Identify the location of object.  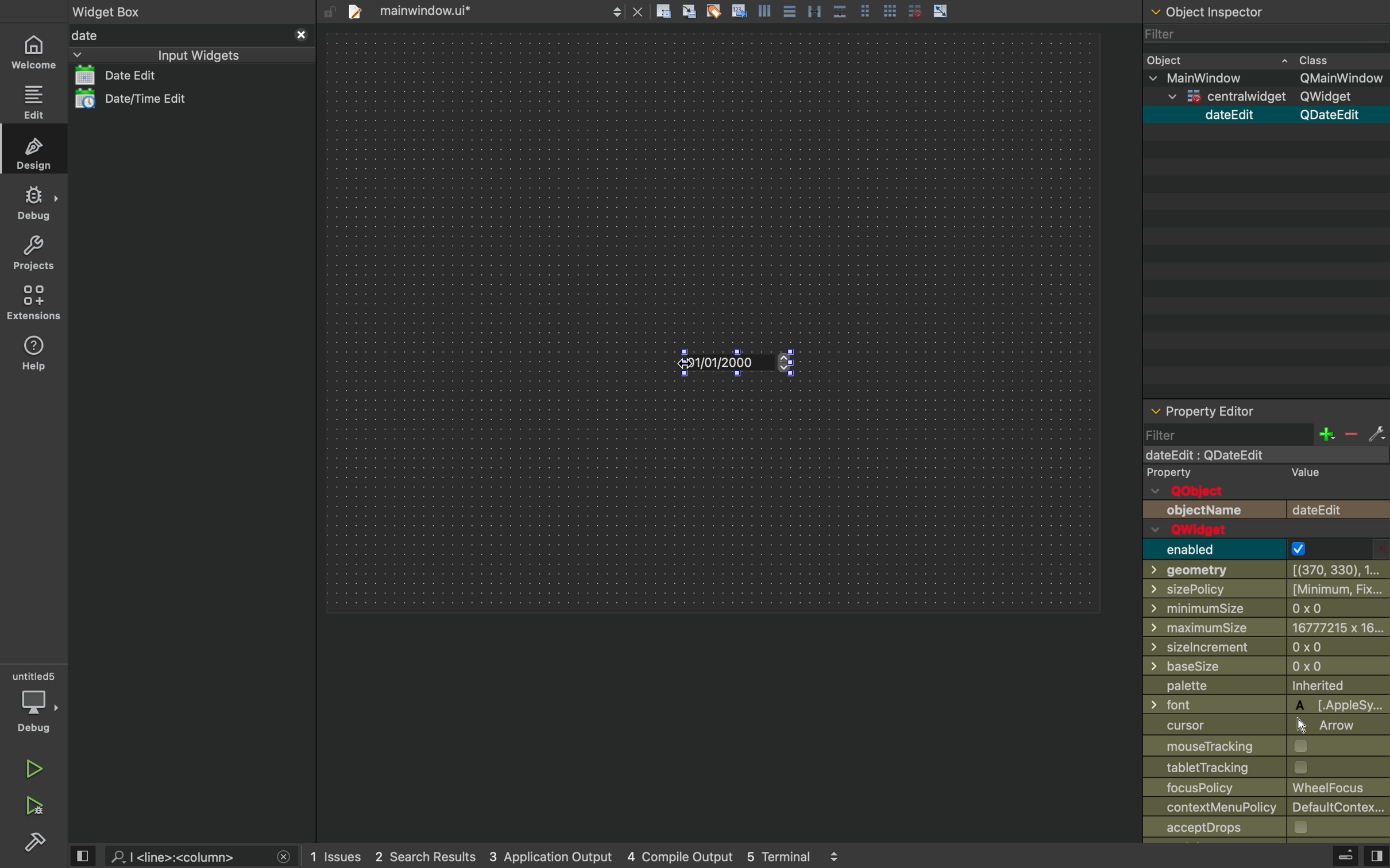
(1252, 59).